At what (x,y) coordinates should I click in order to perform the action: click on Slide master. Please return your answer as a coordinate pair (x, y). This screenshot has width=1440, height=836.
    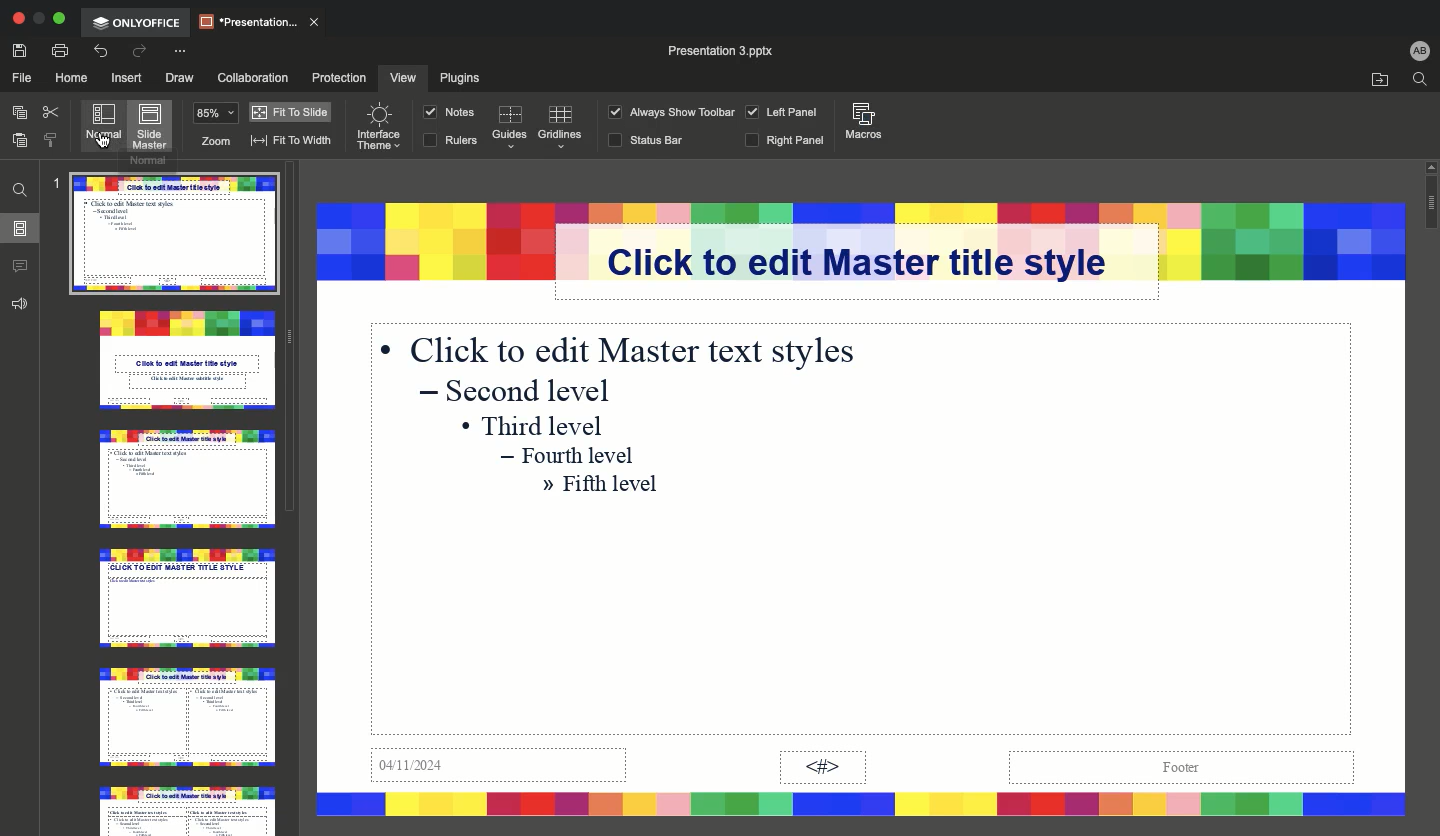
    Looking at the image, I should click on (151, 128).